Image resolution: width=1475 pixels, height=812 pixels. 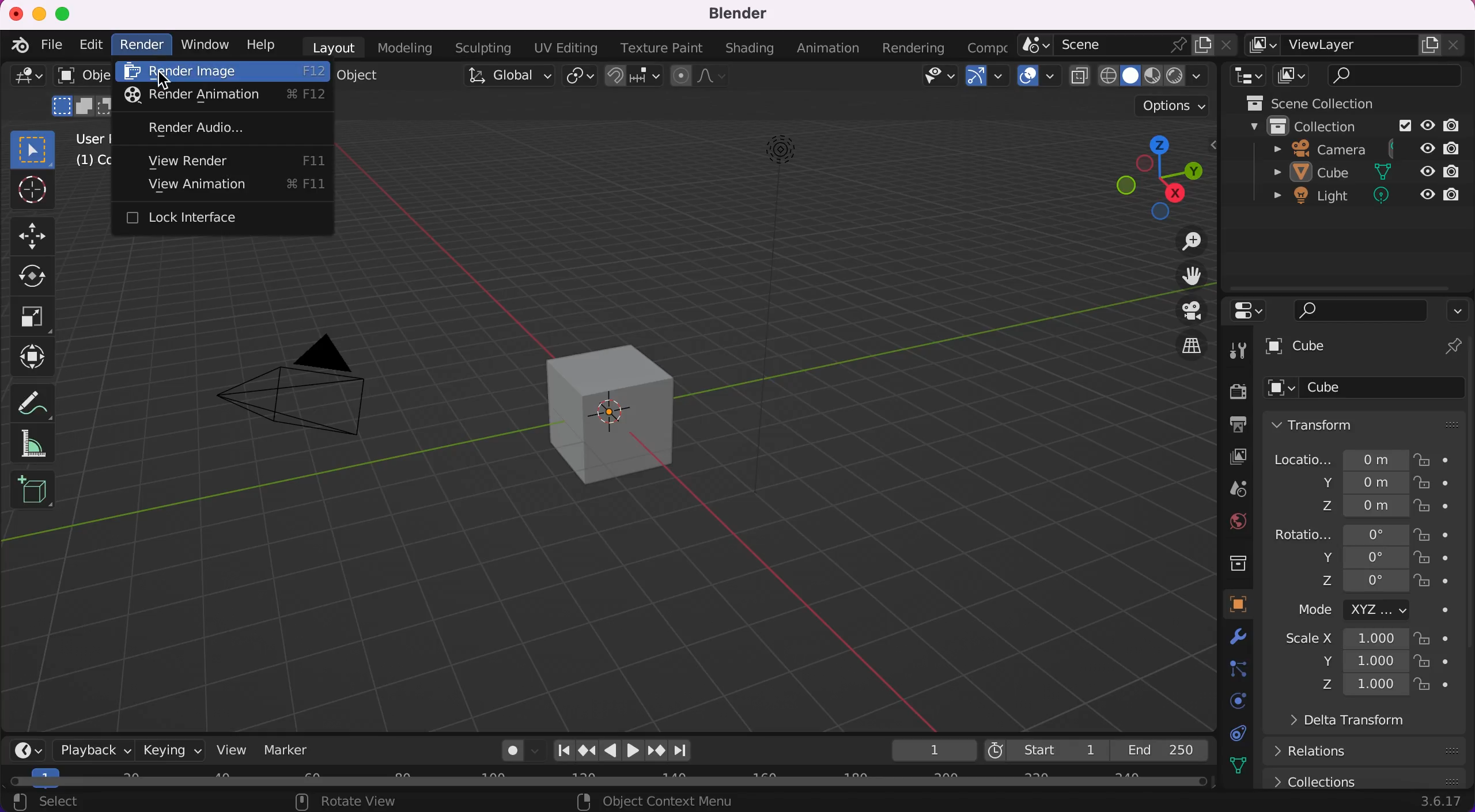 What do you see at coordinates (1239, 350) in the screenshot?
I see `tools` at bounding box center [1239, 350].